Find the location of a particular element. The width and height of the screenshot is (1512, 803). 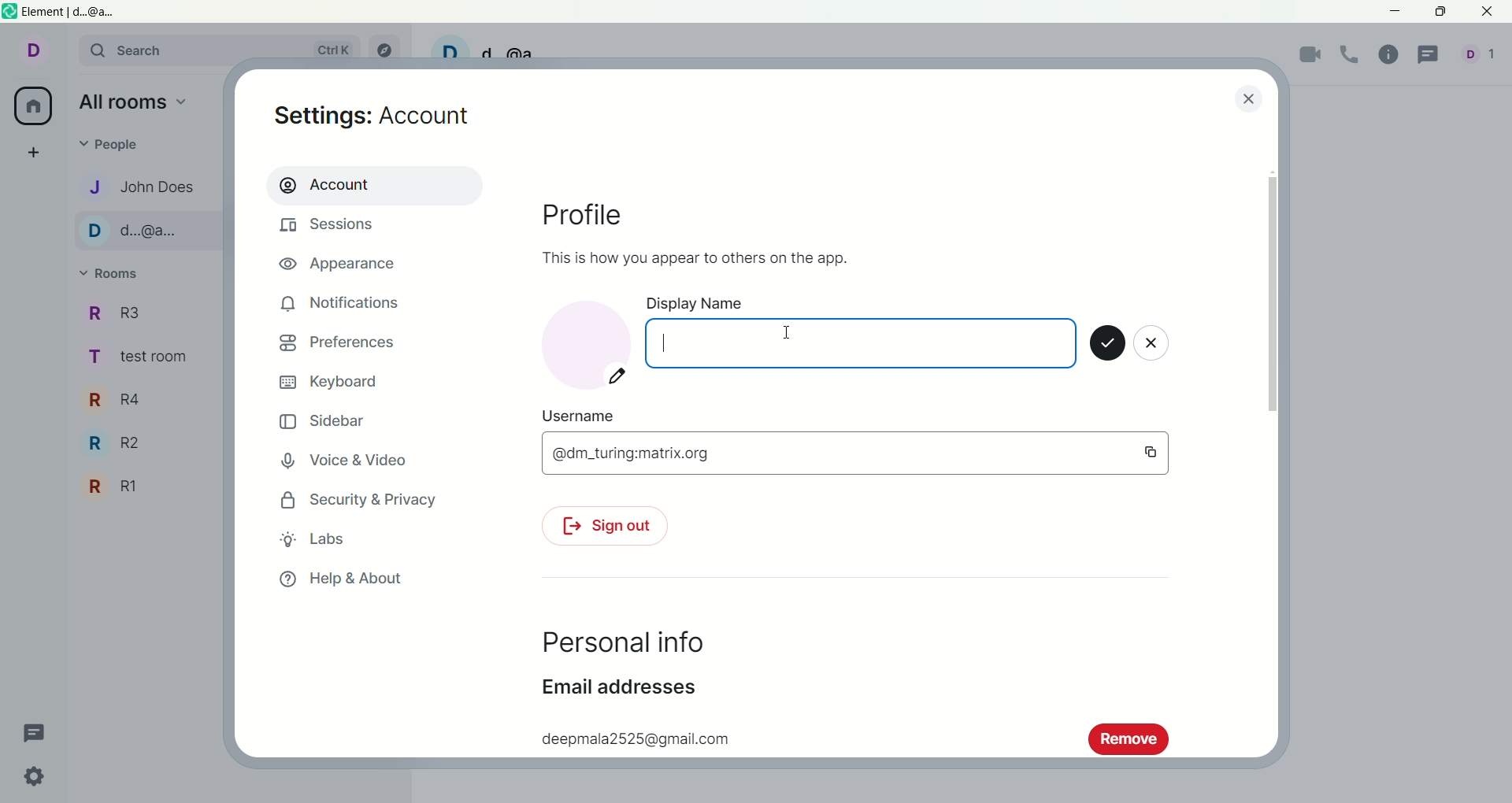

sidebar is located at coordinates (324, 424).